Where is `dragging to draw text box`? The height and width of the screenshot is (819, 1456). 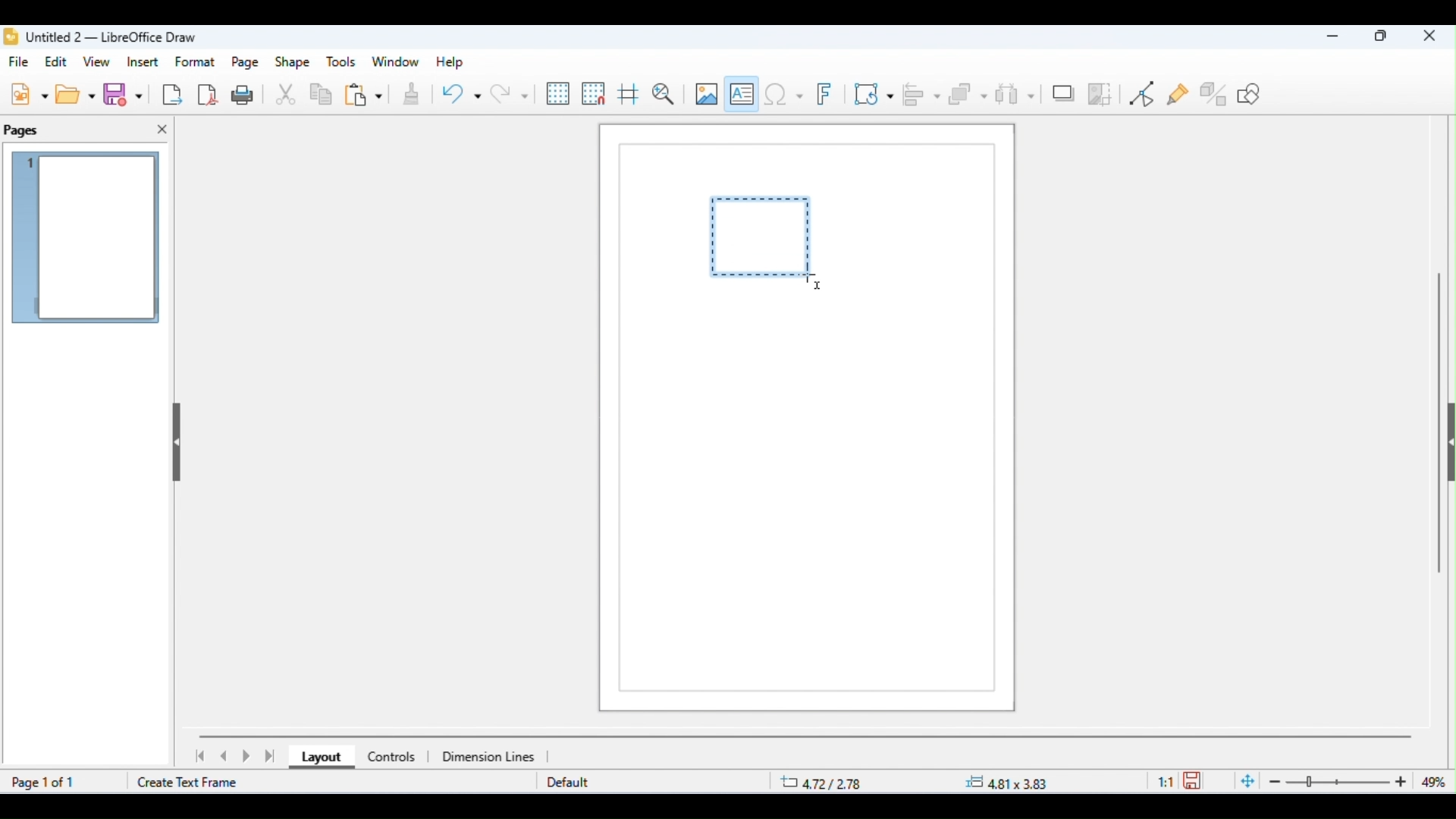 dragging to draw text box is located at coordinates (767, 245).